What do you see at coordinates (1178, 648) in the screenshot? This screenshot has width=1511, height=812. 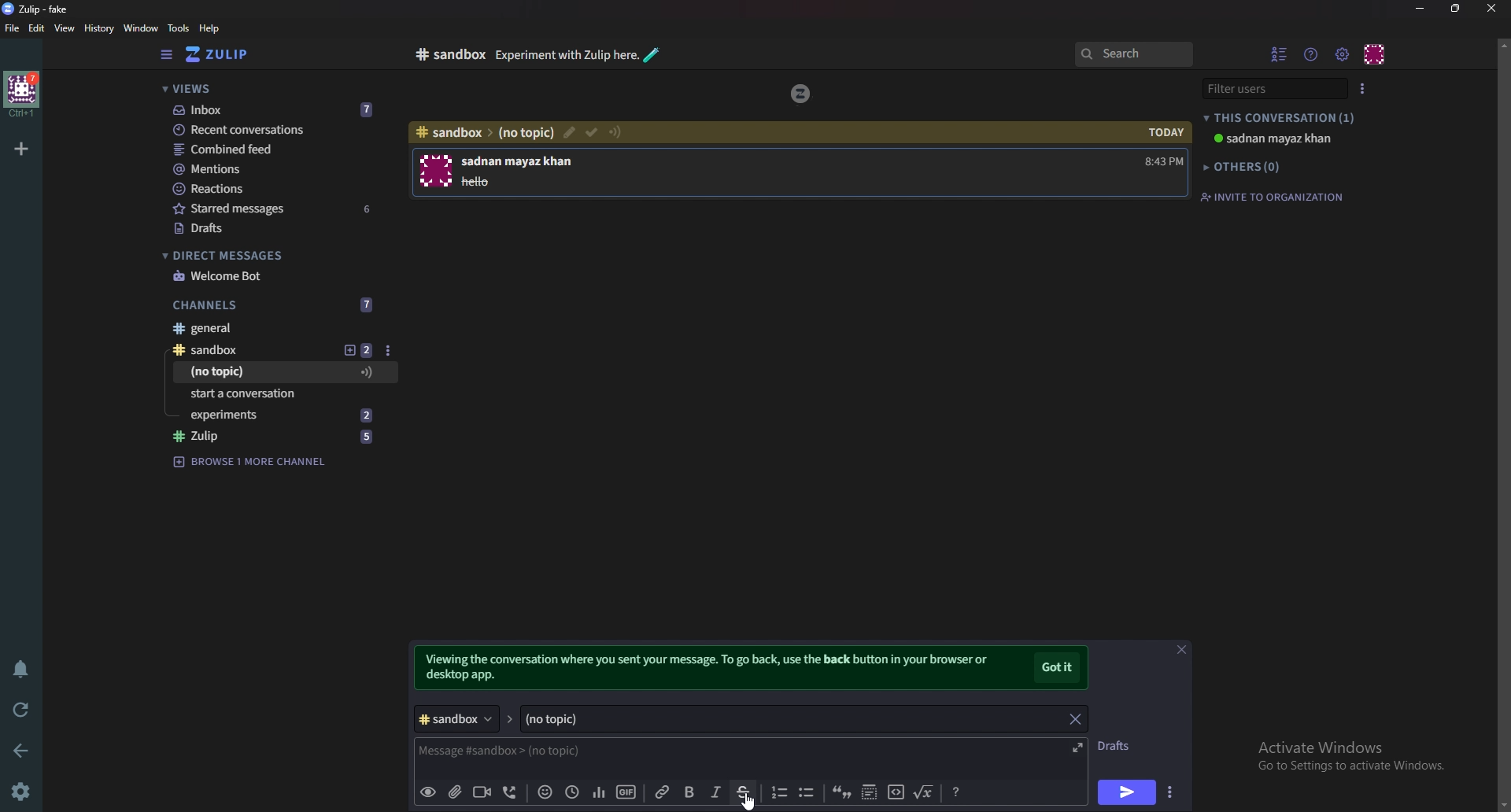 I see `close message` at bounding box center [1178, 648].